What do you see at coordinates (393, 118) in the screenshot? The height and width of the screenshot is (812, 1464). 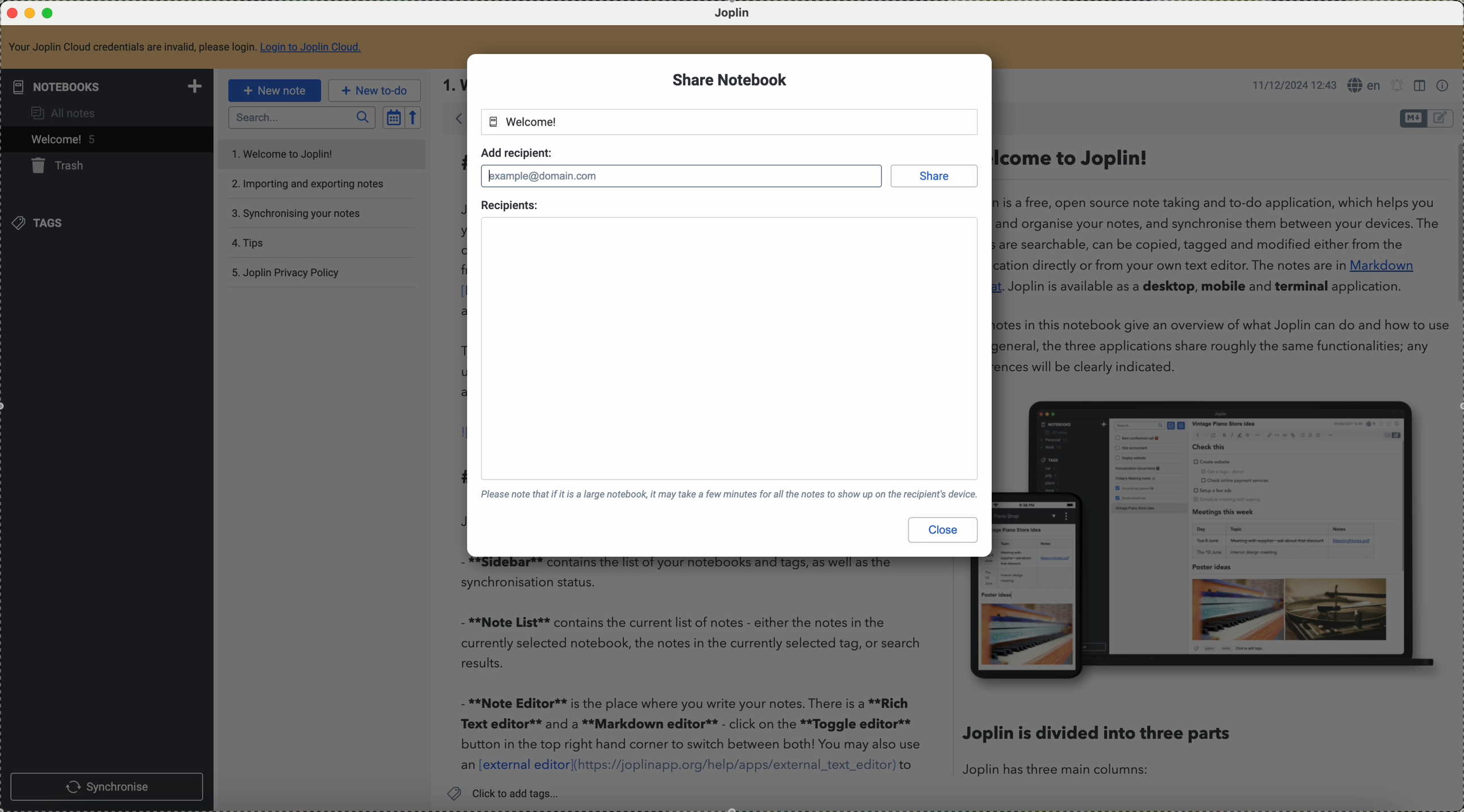 I see `toggle sort order field` at bounding box center [393, 118].